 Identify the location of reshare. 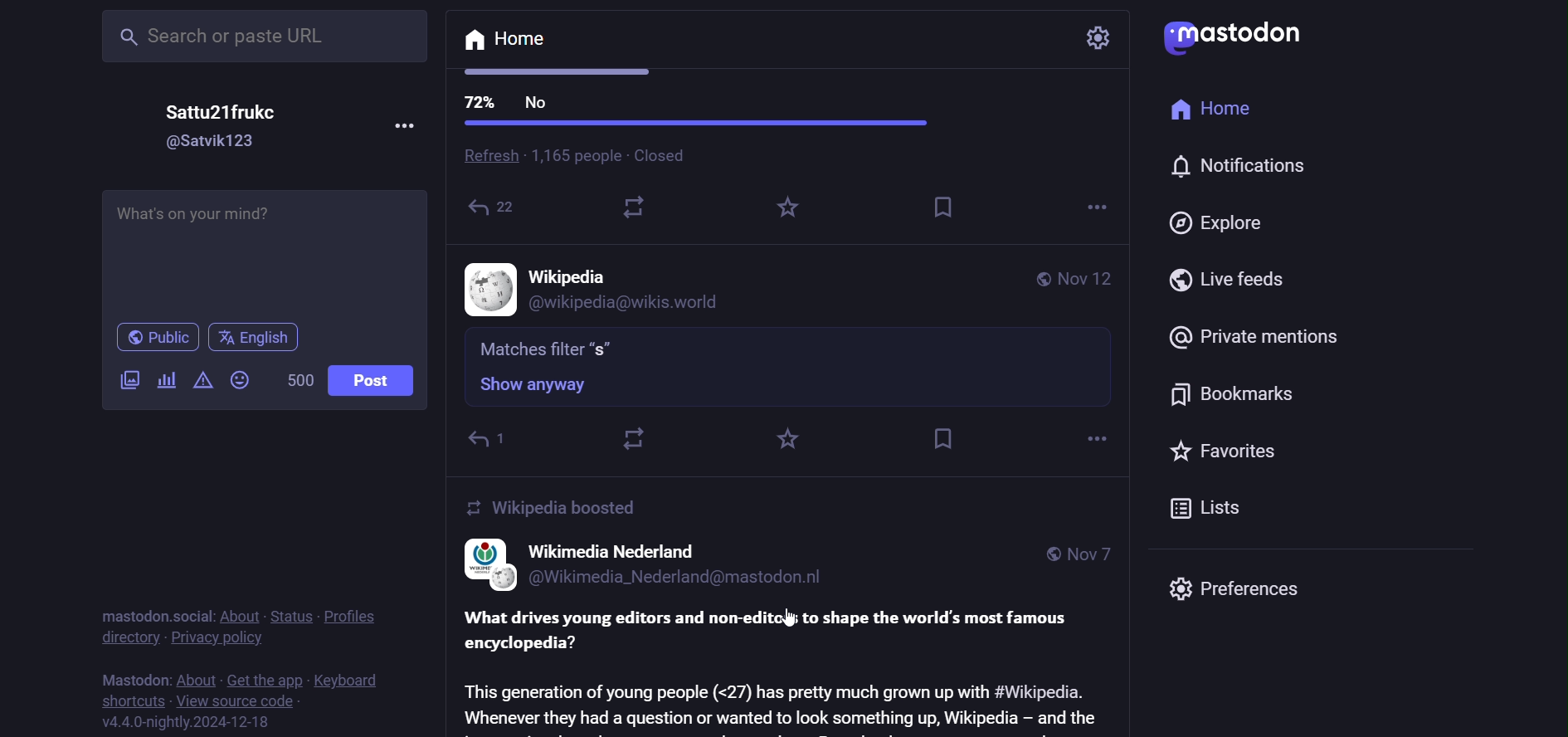
(636, 440).